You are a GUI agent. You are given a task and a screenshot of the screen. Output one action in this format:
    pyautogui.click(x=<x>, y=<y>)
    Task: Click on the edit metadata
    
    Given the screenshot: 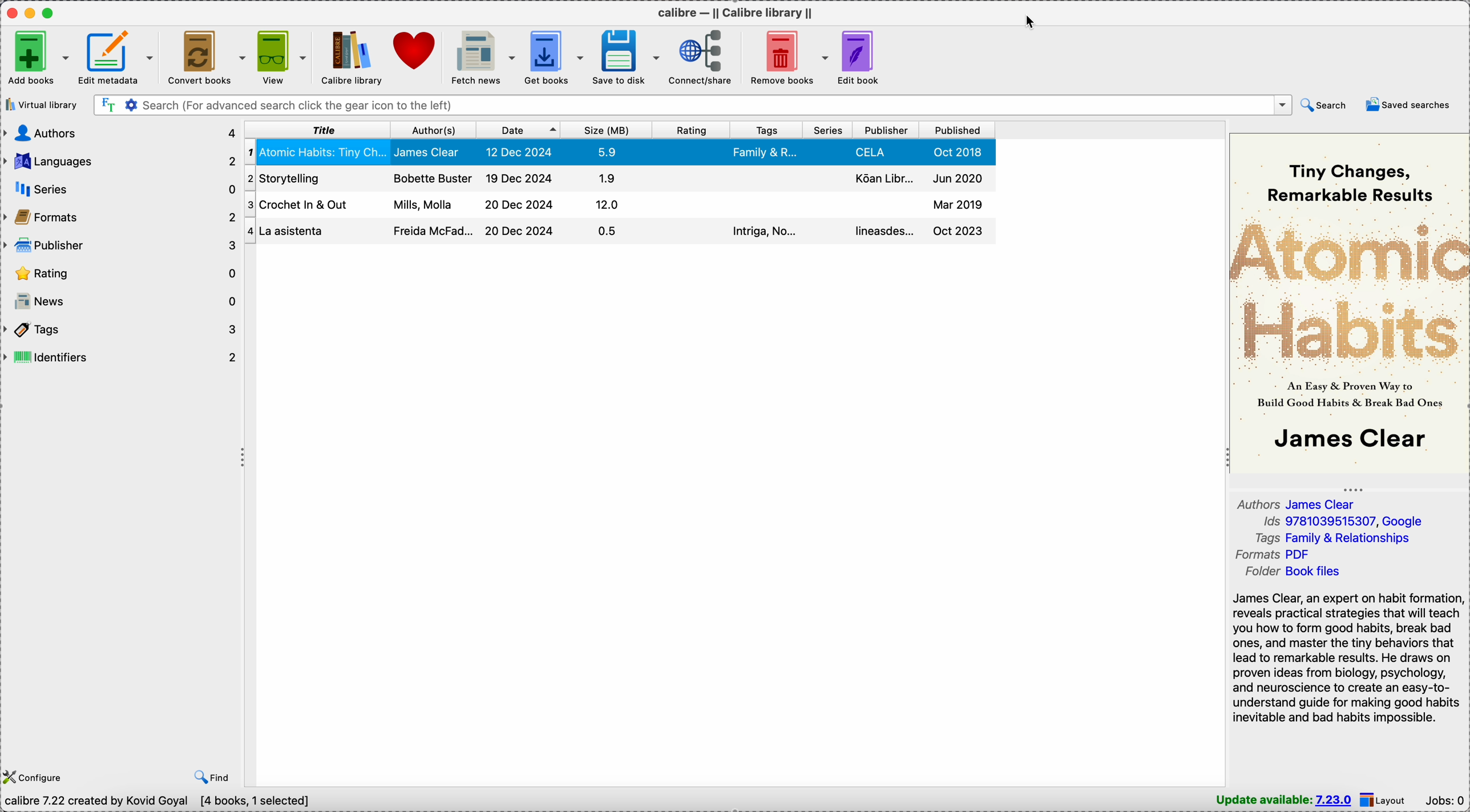 What is the action you would take?
    pyautogui.click(x=119, y=58)
    